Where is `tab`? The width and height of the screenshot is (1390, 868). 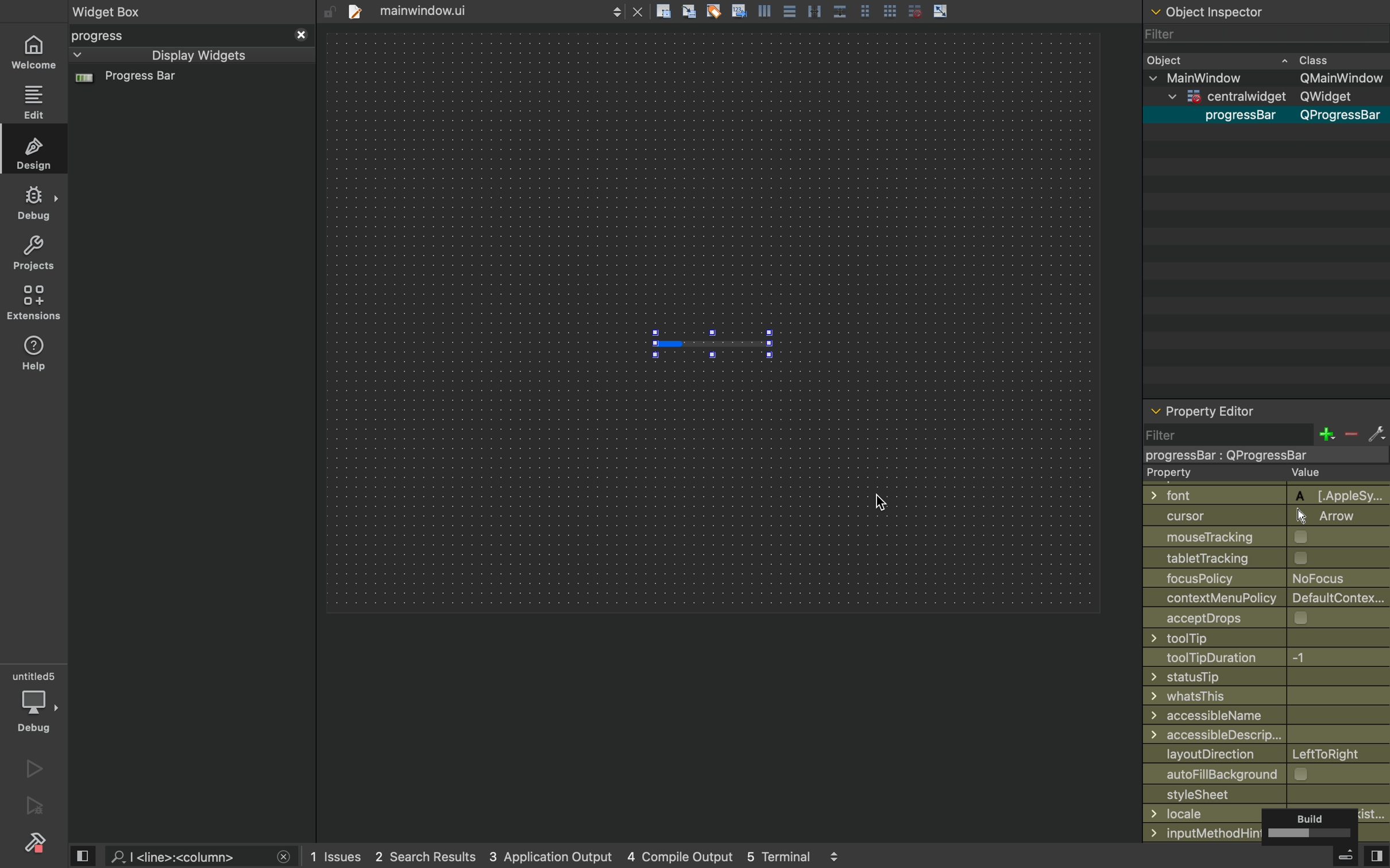 tab is located at coordinates (492, 10).